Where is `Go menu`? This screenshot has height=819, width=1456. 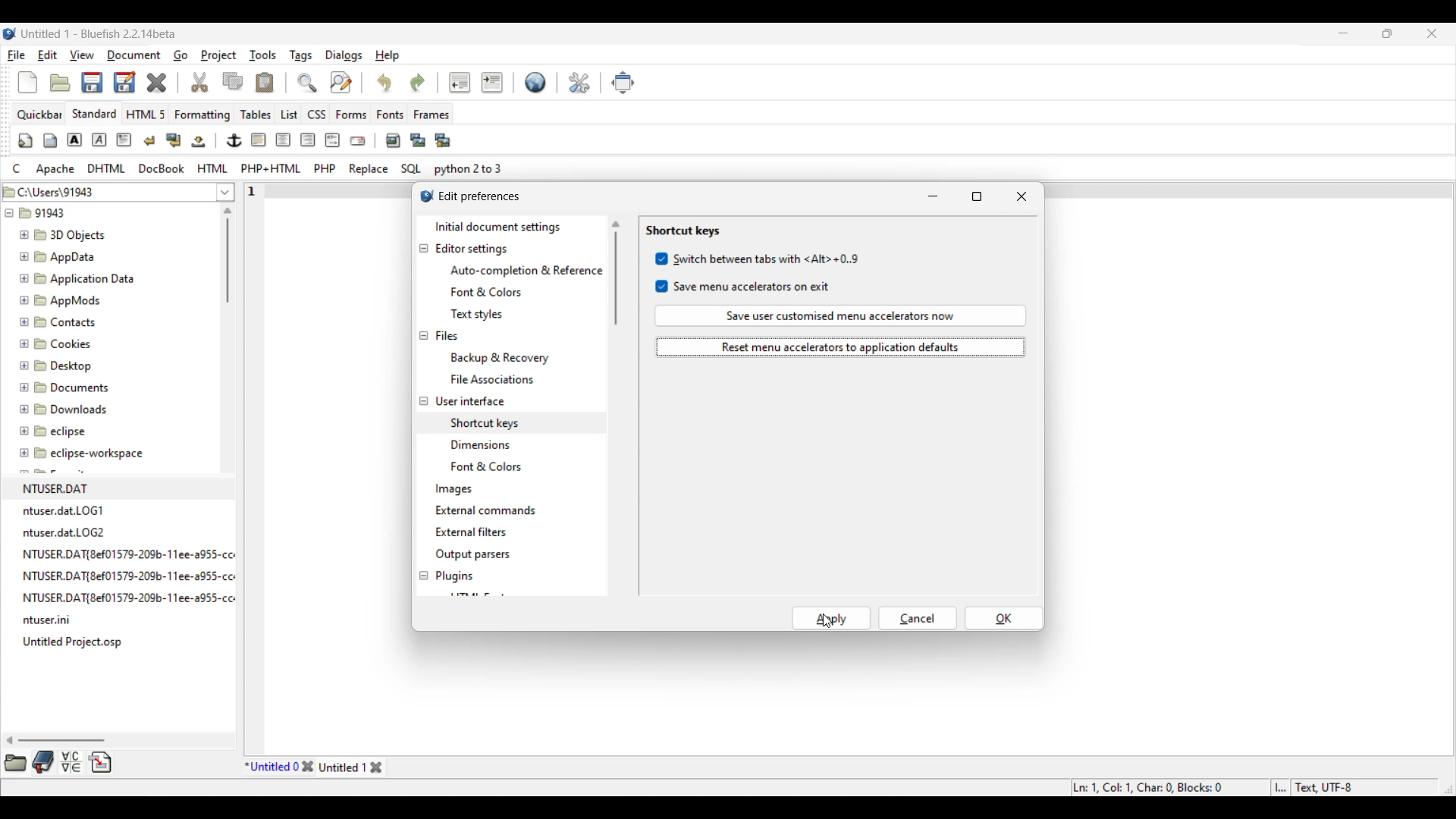 Go menu is located at coordinates (180, 55).